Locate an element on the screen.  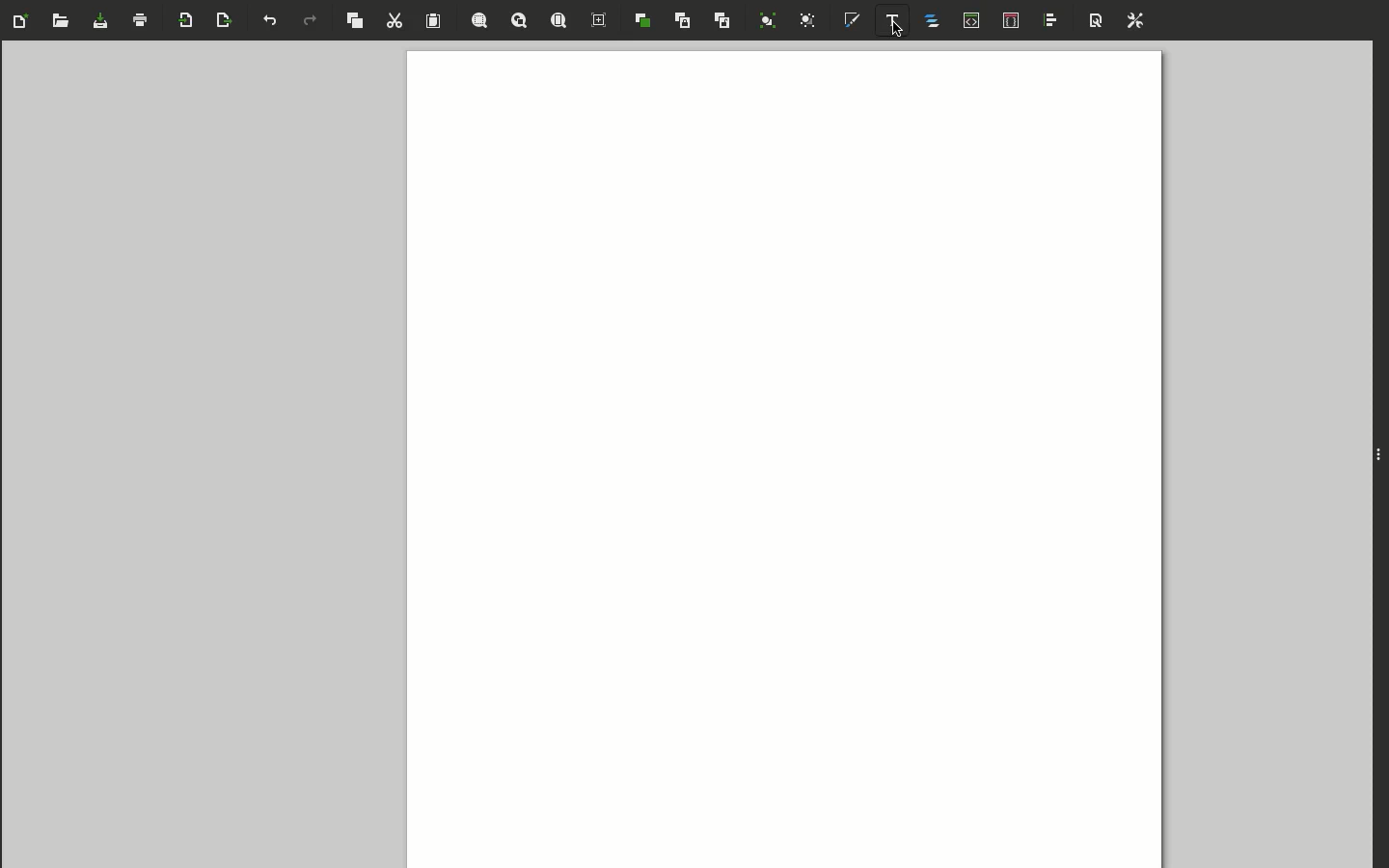
Zoom drawing is located at coordinates (521, 21).